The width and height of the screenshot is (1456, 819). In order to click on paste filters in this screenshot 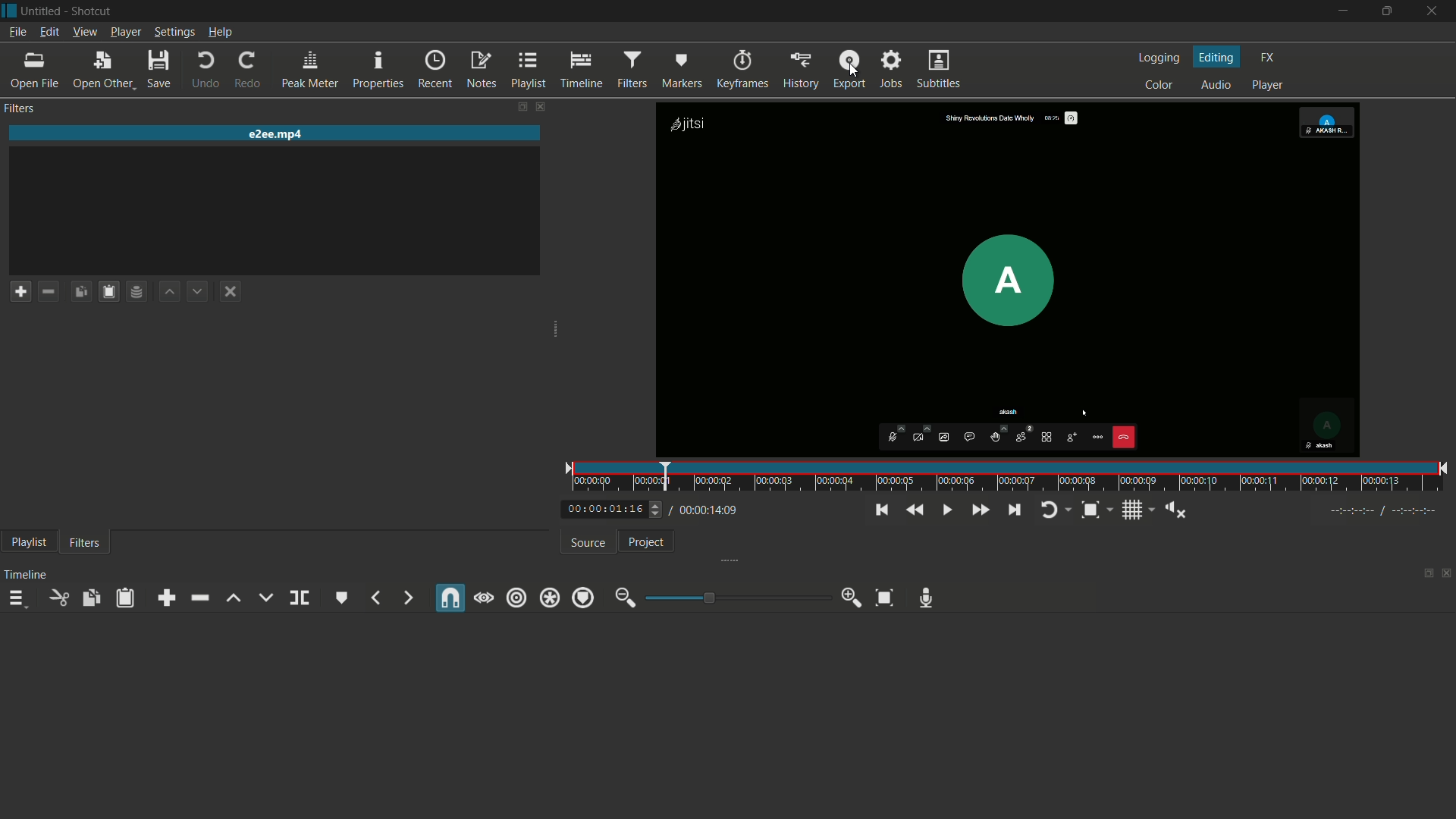, I will do `click(125, 599)`.